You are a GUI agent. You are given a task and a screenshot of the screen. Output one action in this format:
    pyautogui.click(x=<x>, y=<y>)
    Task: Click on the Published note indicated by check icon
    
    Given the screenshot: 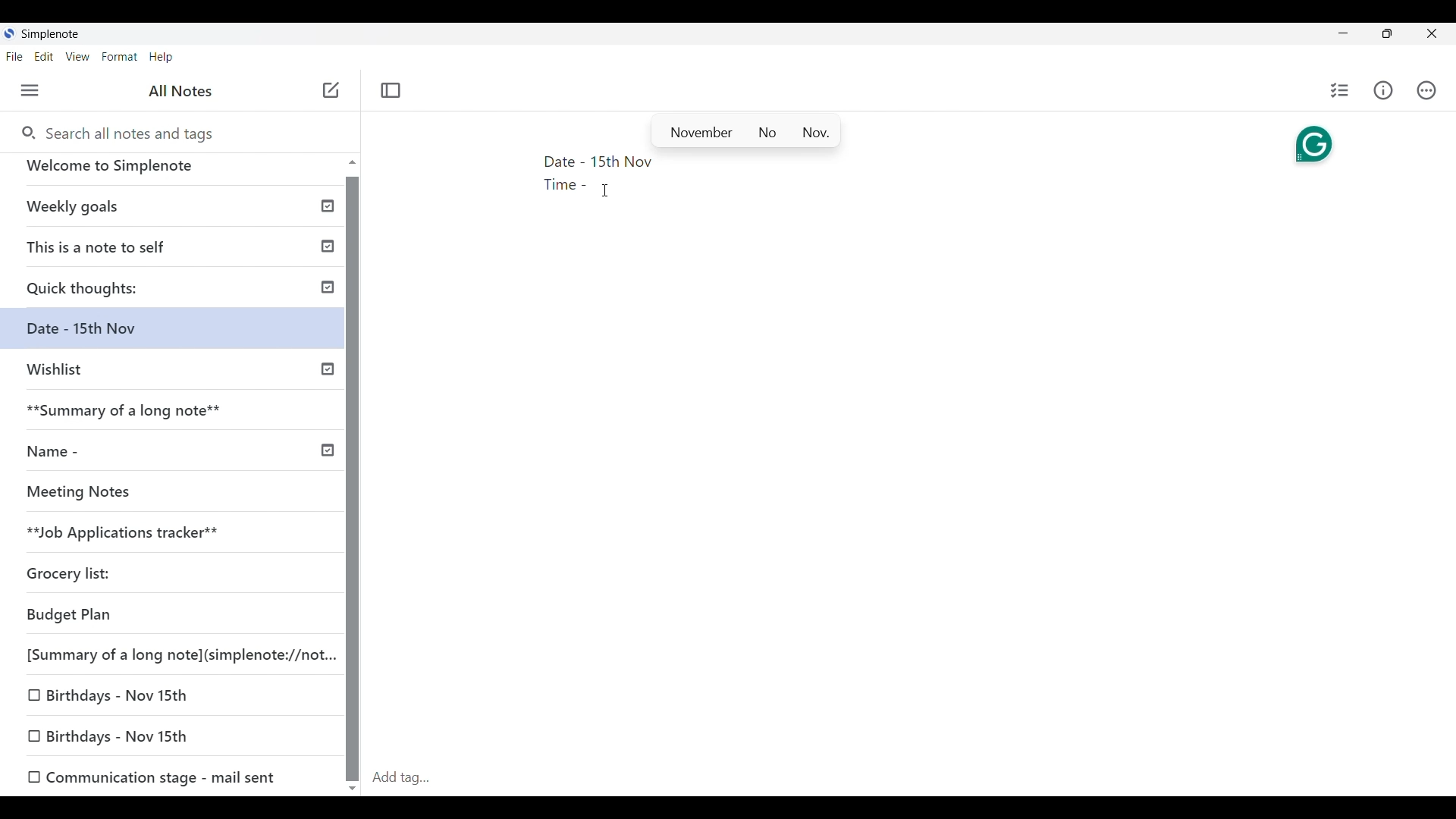 What is the action you would take?
    pyautogui.click(x=181, y=252)
    